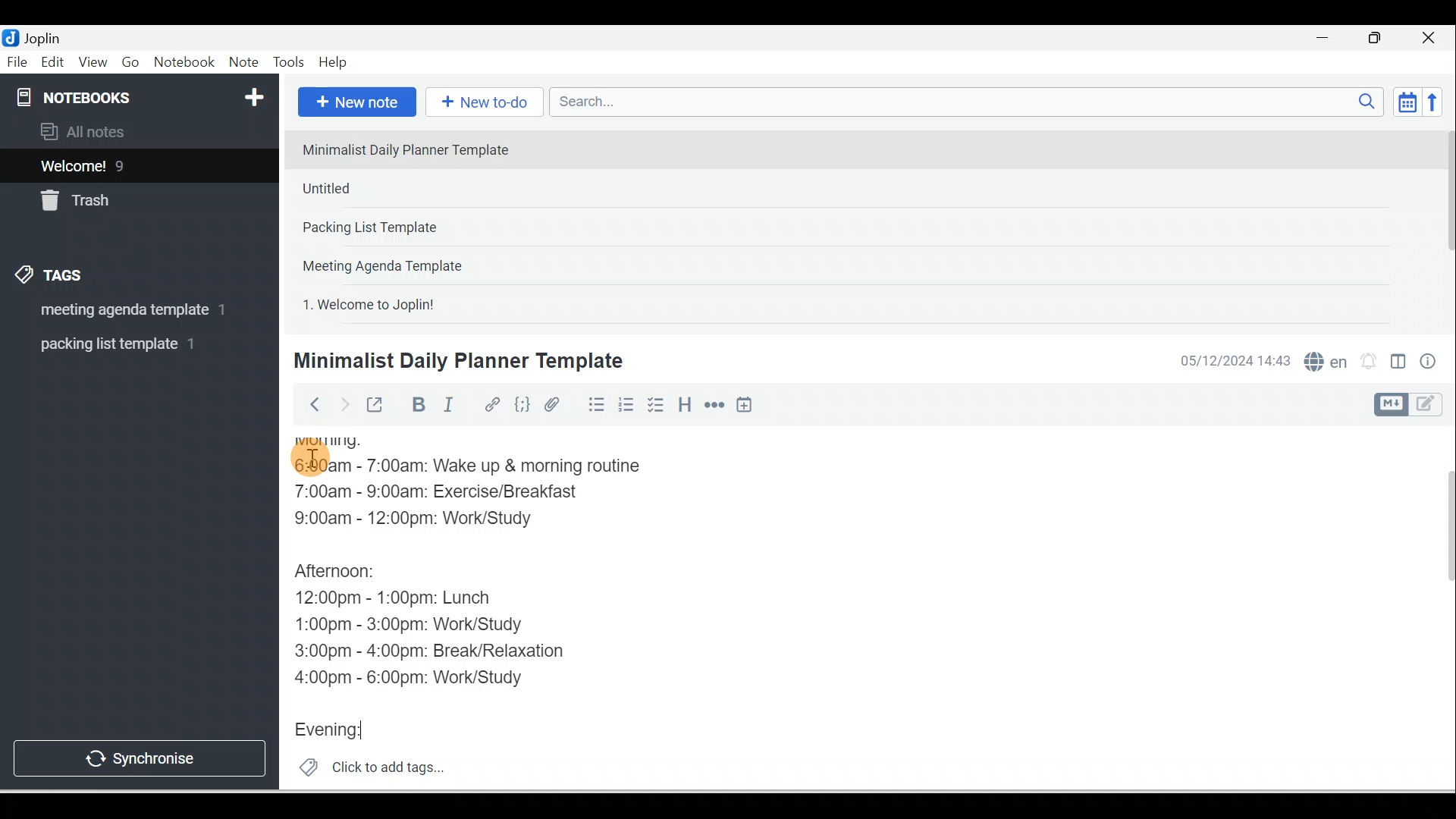  What do you see at coordinates (354, 103) in the screenshot?
I see `New note` at bounding box center [354, 103].